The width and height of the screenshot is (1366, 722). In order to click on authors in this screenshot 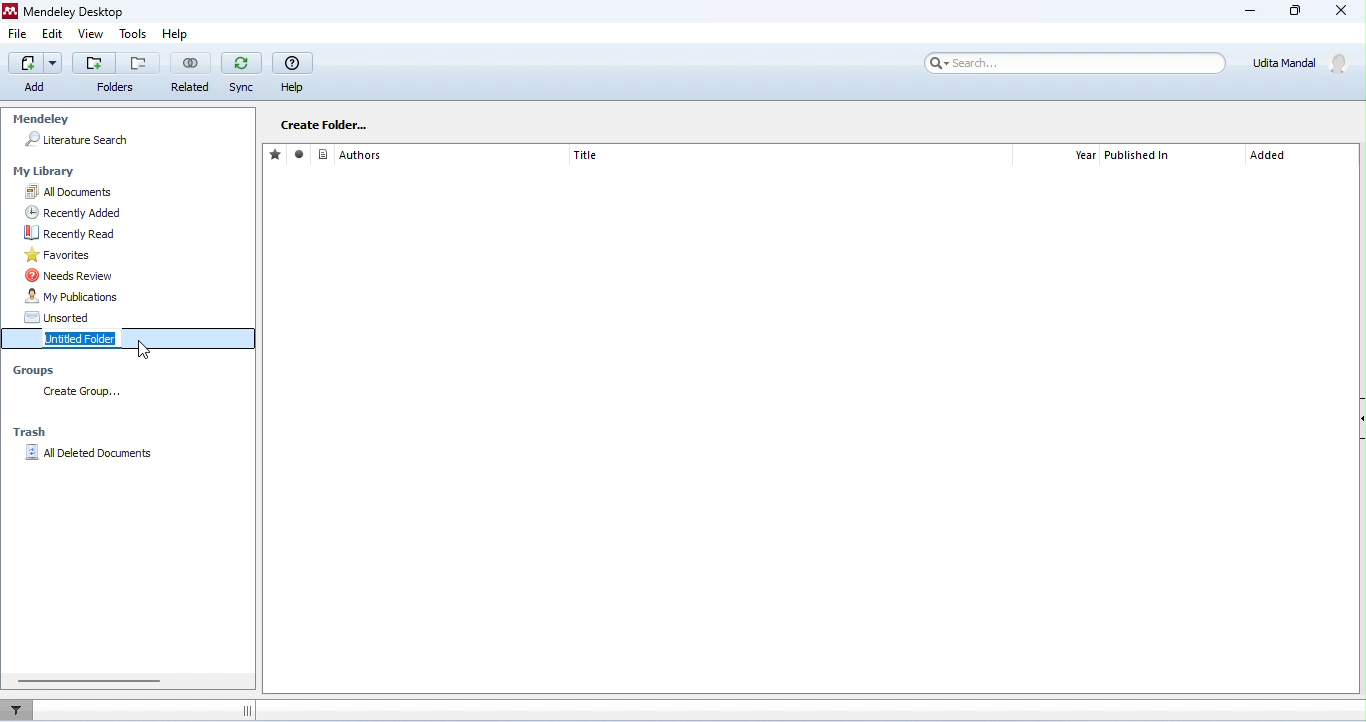, I will do `click(351, 154)`.